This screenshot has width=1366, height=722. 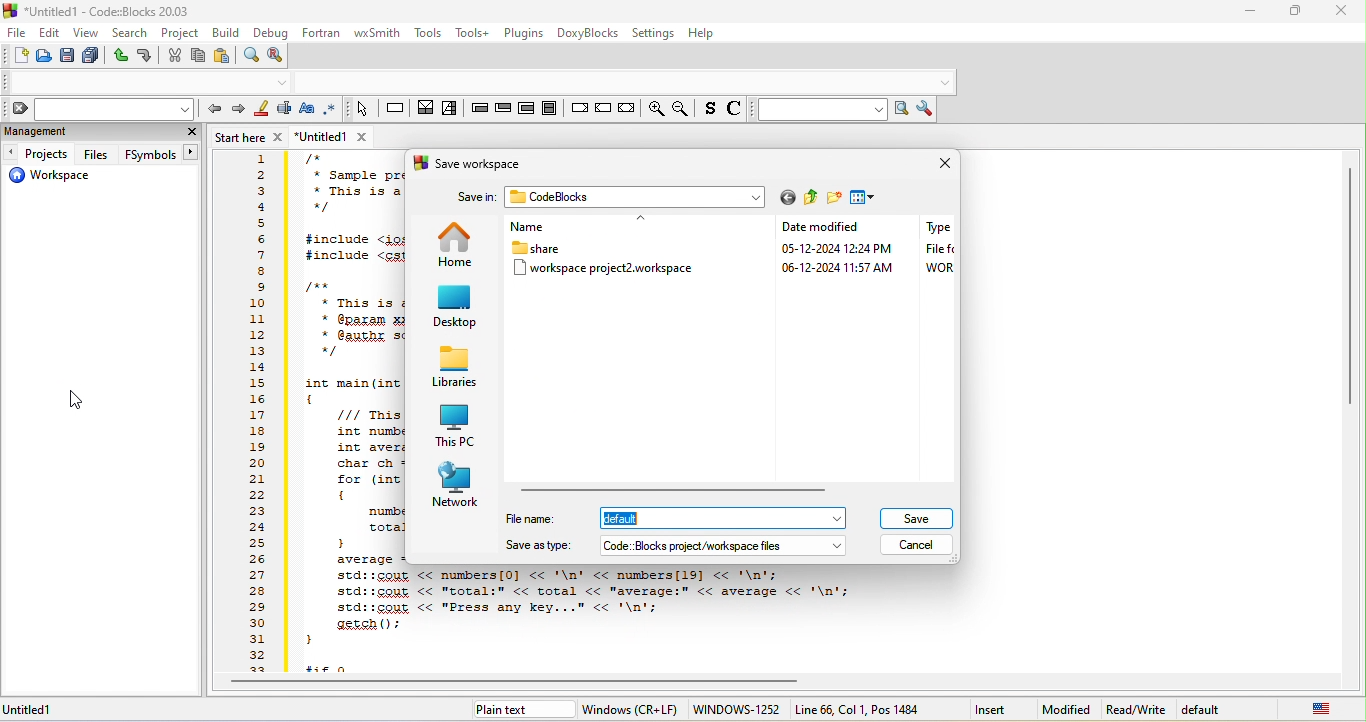 What do you see at coordinates (838, 547) in the screenshot?
I see `dropdown` at bounding box center [838, 547].